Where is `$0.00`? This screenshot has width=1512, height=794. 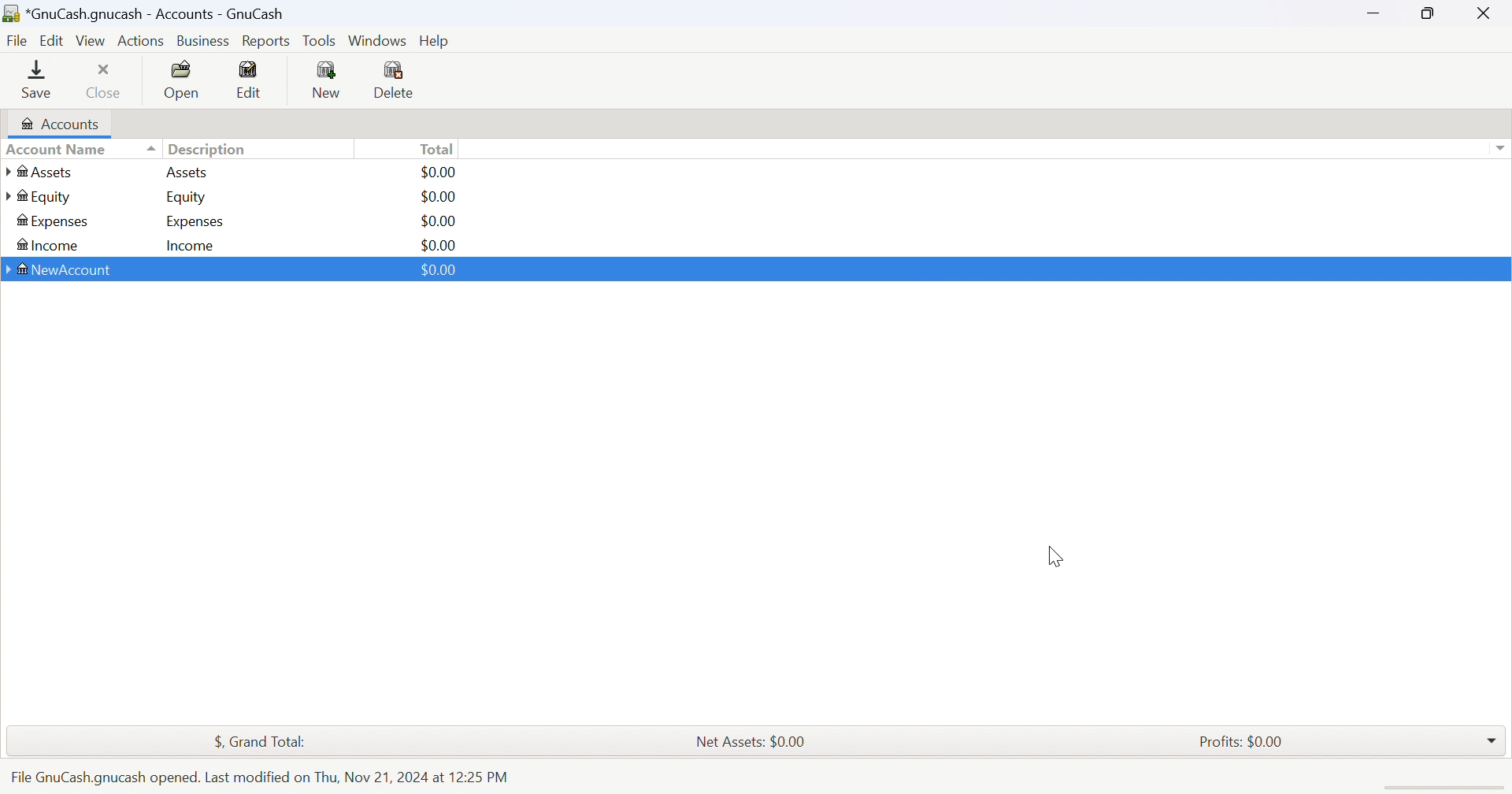 $0.00 is located at coordinates (438, 269).